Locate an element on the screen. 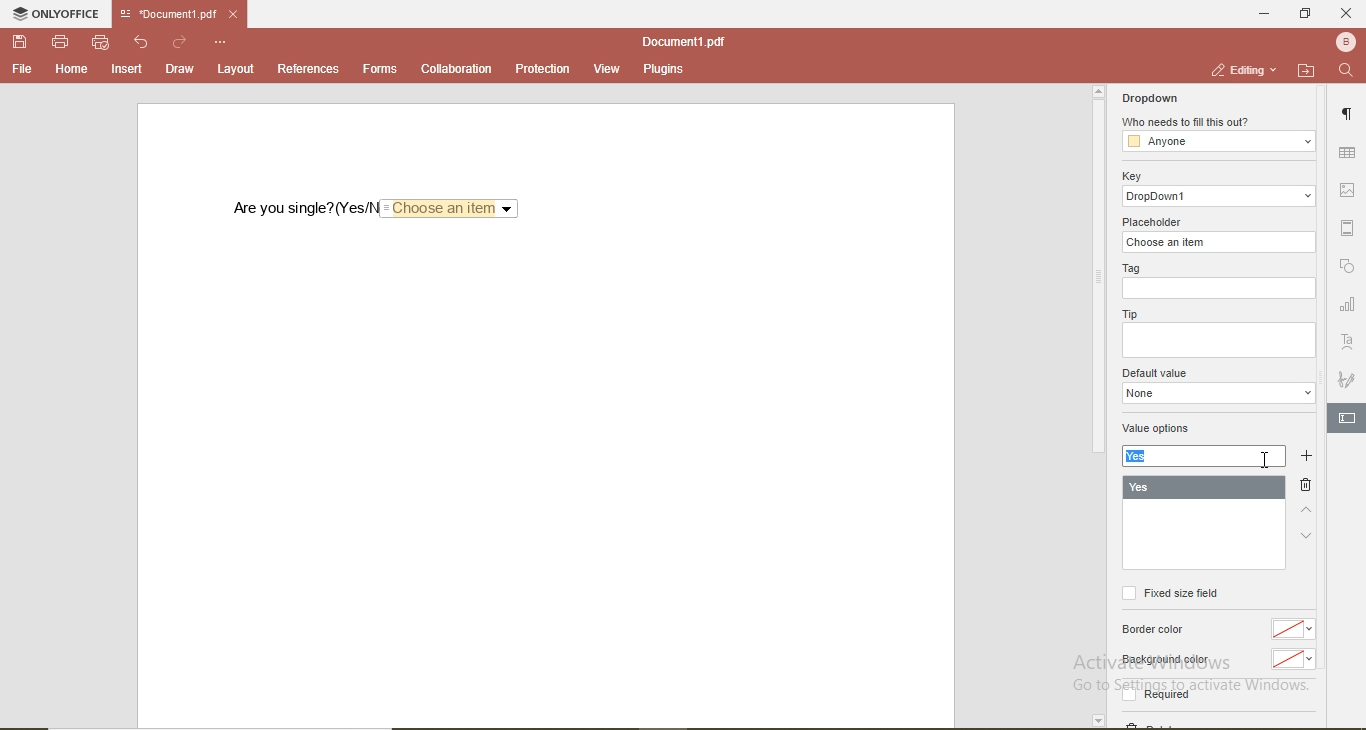 This screenshot has width=1366, height=730. search is located at coordinates (1349, 73).